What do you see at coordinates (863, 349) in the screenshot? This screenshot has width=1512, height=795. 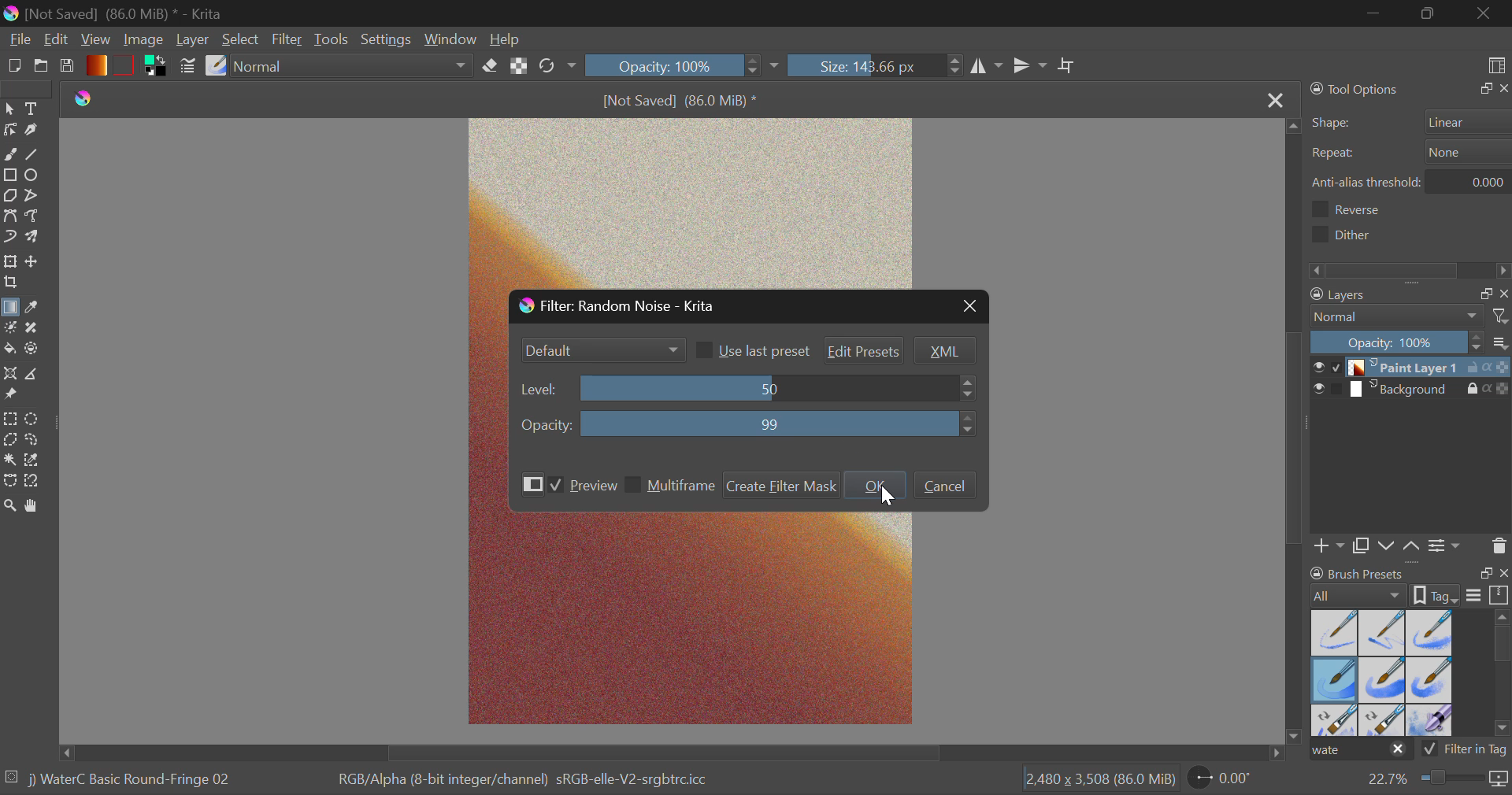 I see `Edit Presets` at bounding box center [863, 349].